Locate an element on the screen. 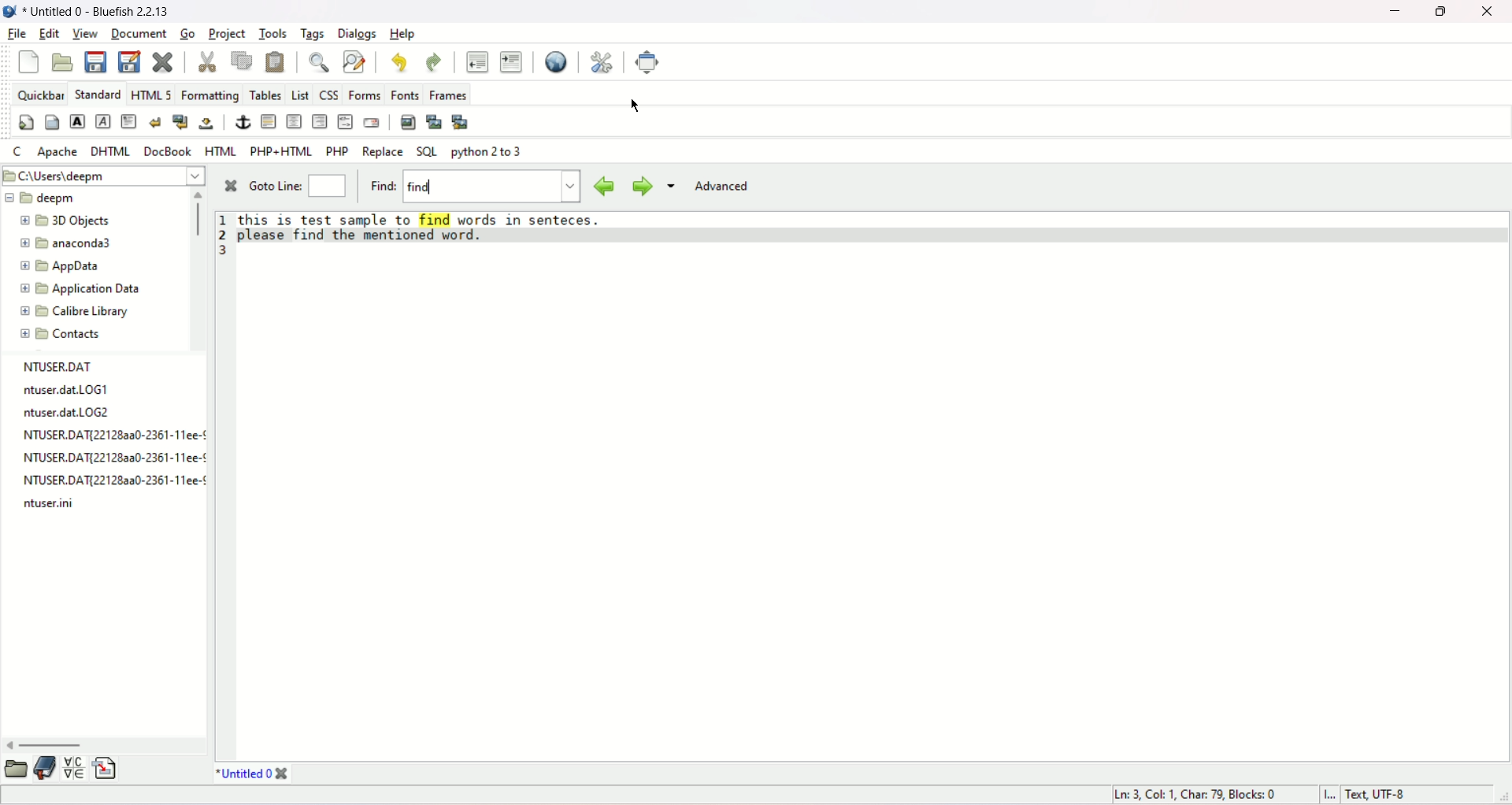  NTUSER.DAT is located at coordinates (55, 365).